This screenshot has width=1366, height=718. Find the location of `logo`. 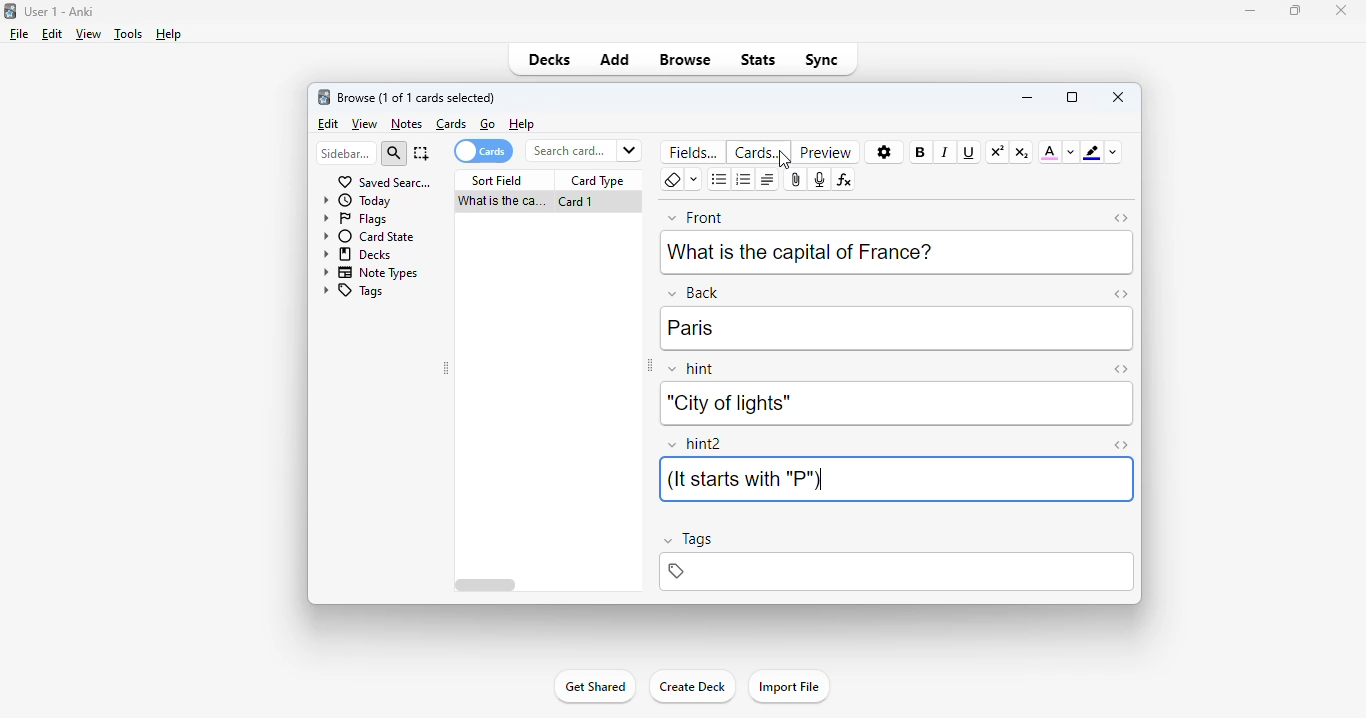

logo is located at coordinates (323, 96).